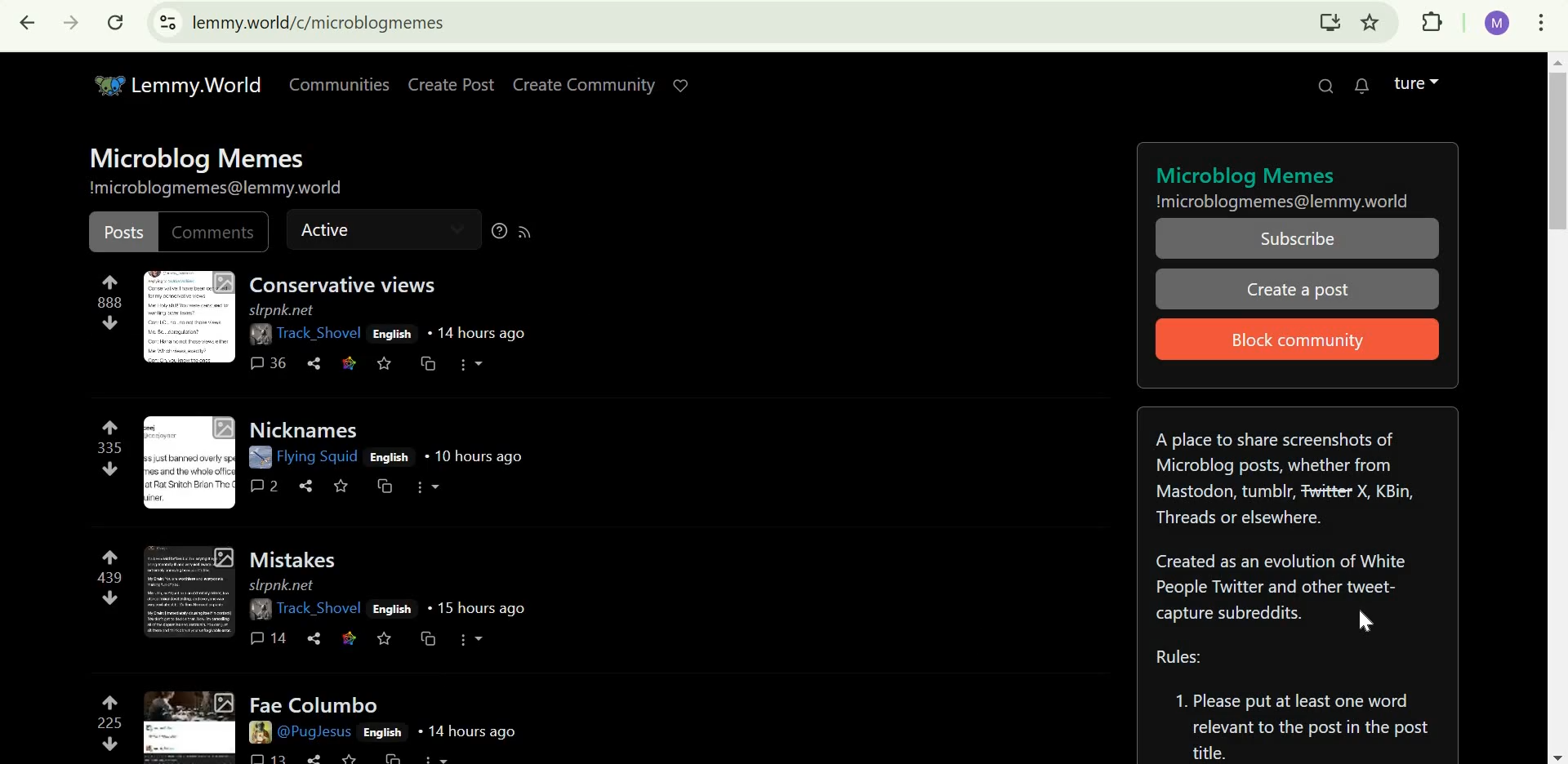  Describe the element at coordinates (261, 335) in the screenshot. I see `profile picture` at that location.